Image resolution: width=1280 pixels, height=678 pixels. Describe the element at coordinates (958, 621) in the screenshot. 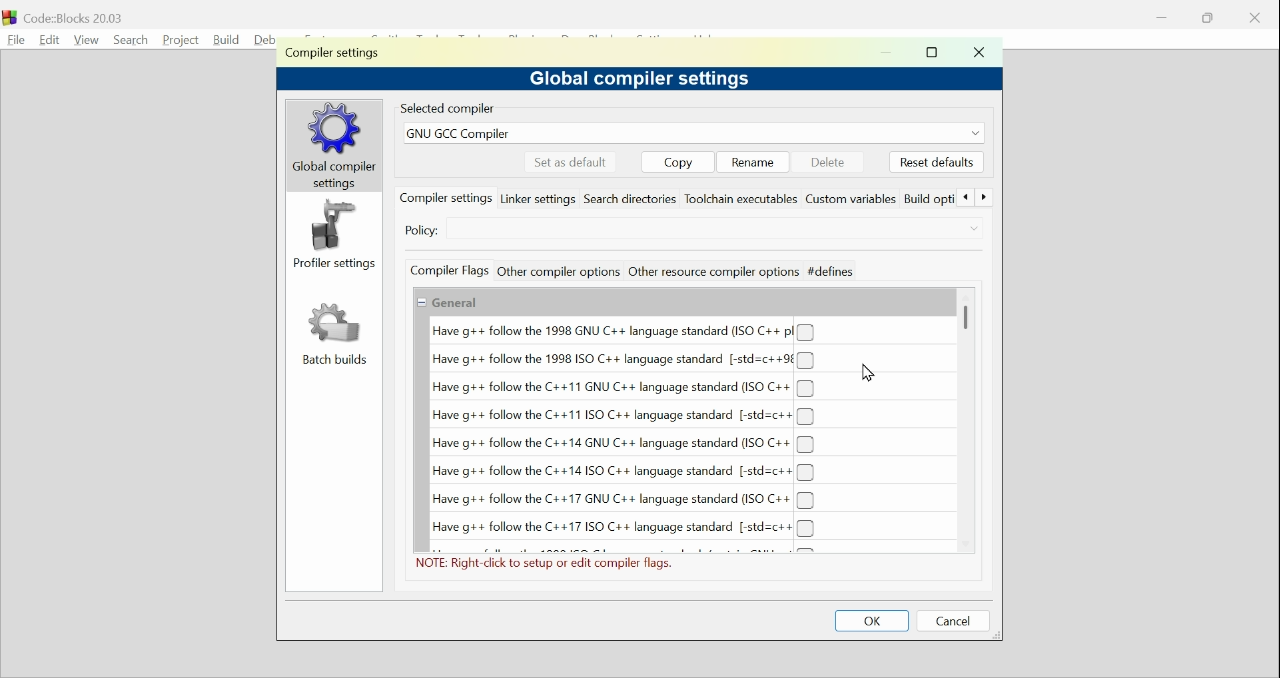

I see `Cancel` at that location.